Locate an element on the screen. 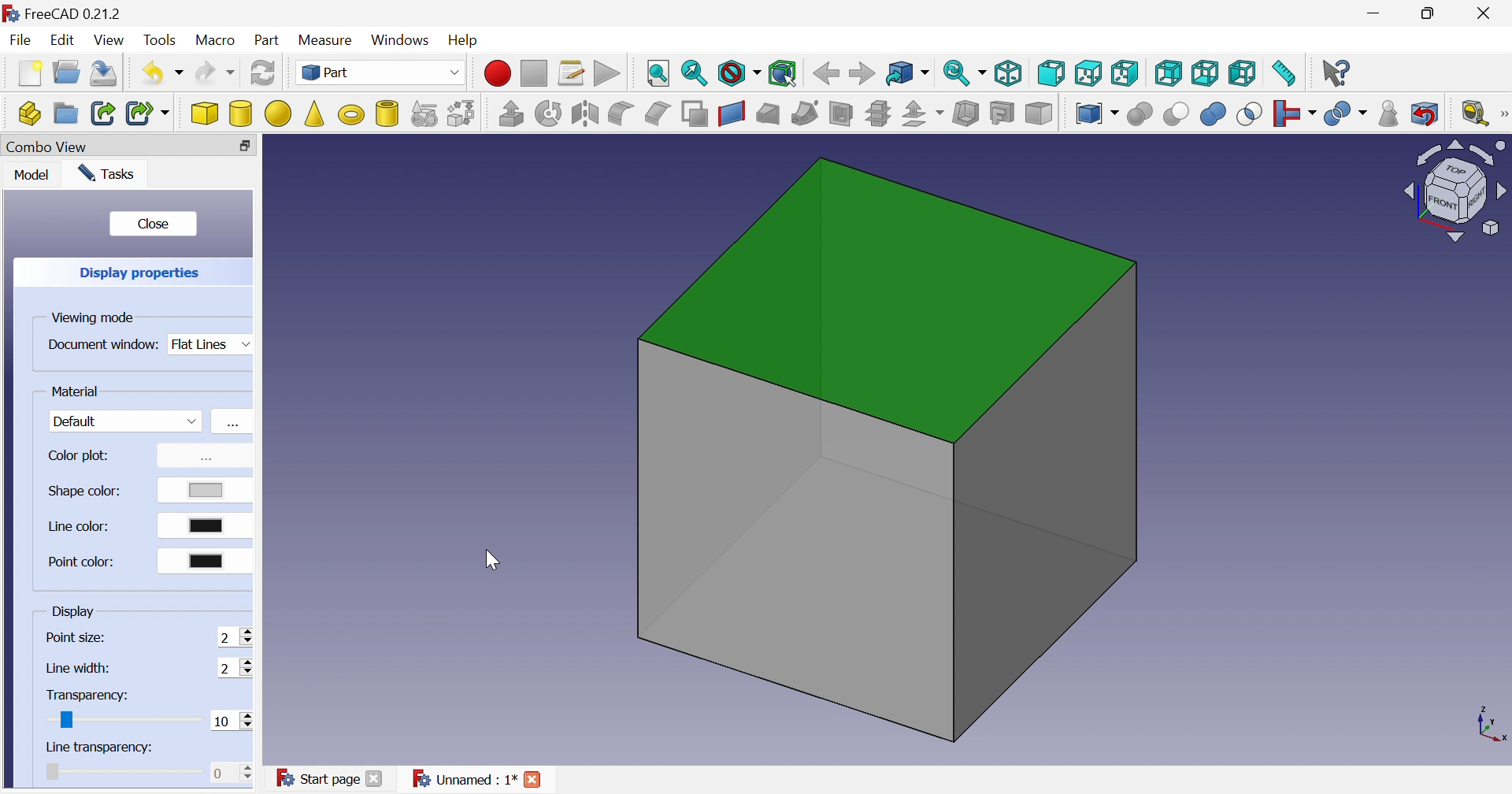 The image size is (1512, 794). Viewing mode is located at coordinates (93, 317).